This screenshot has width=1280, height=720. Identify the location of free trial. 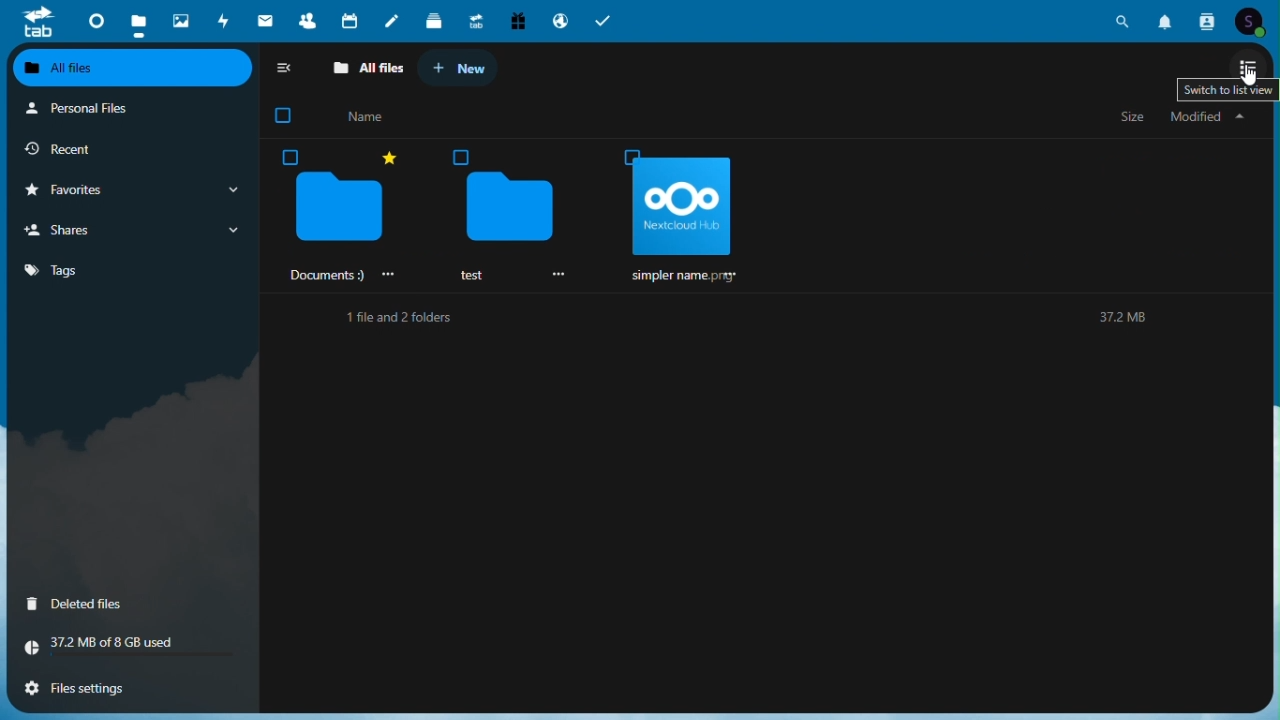
(517, 20).